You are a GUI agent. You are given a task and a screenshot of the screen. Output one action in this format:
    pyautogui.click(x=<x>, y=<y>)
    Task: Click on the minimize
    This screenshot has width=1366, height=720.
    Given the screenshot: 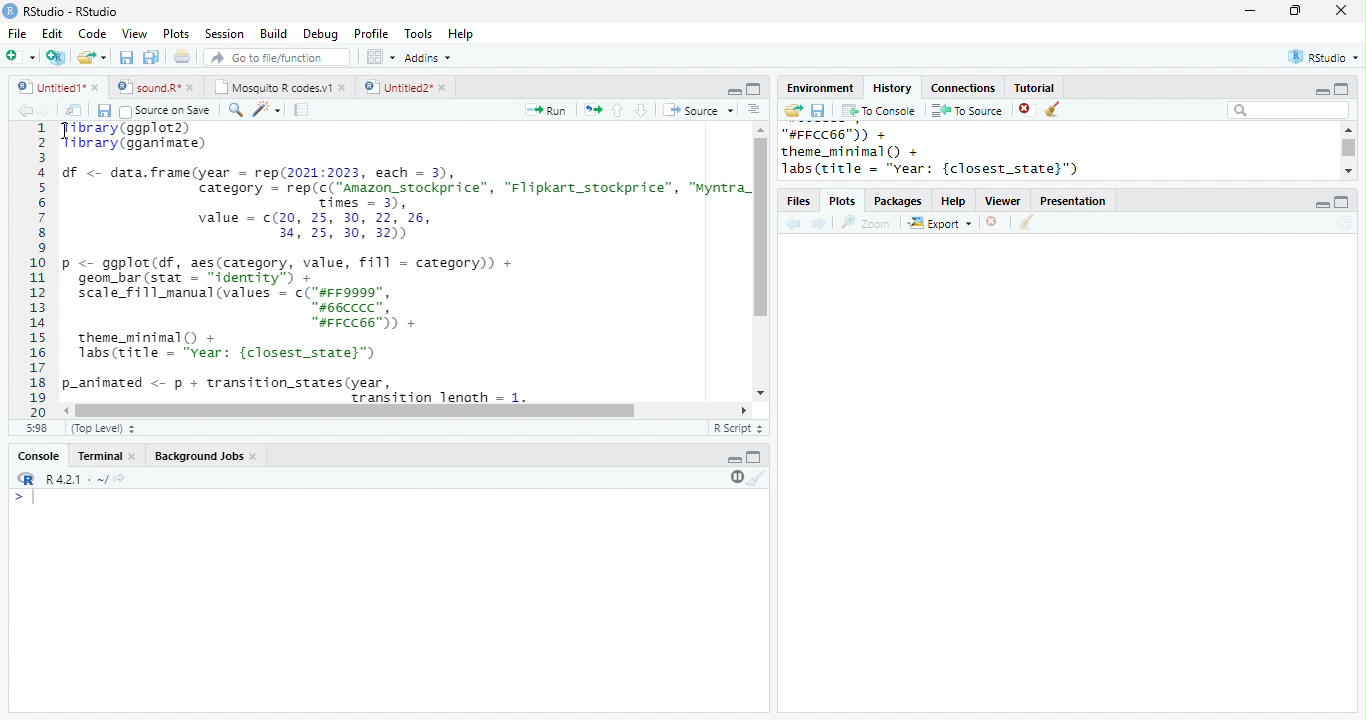 What is the action you would take?
    pyautogui.click(x=735, y=92)
    